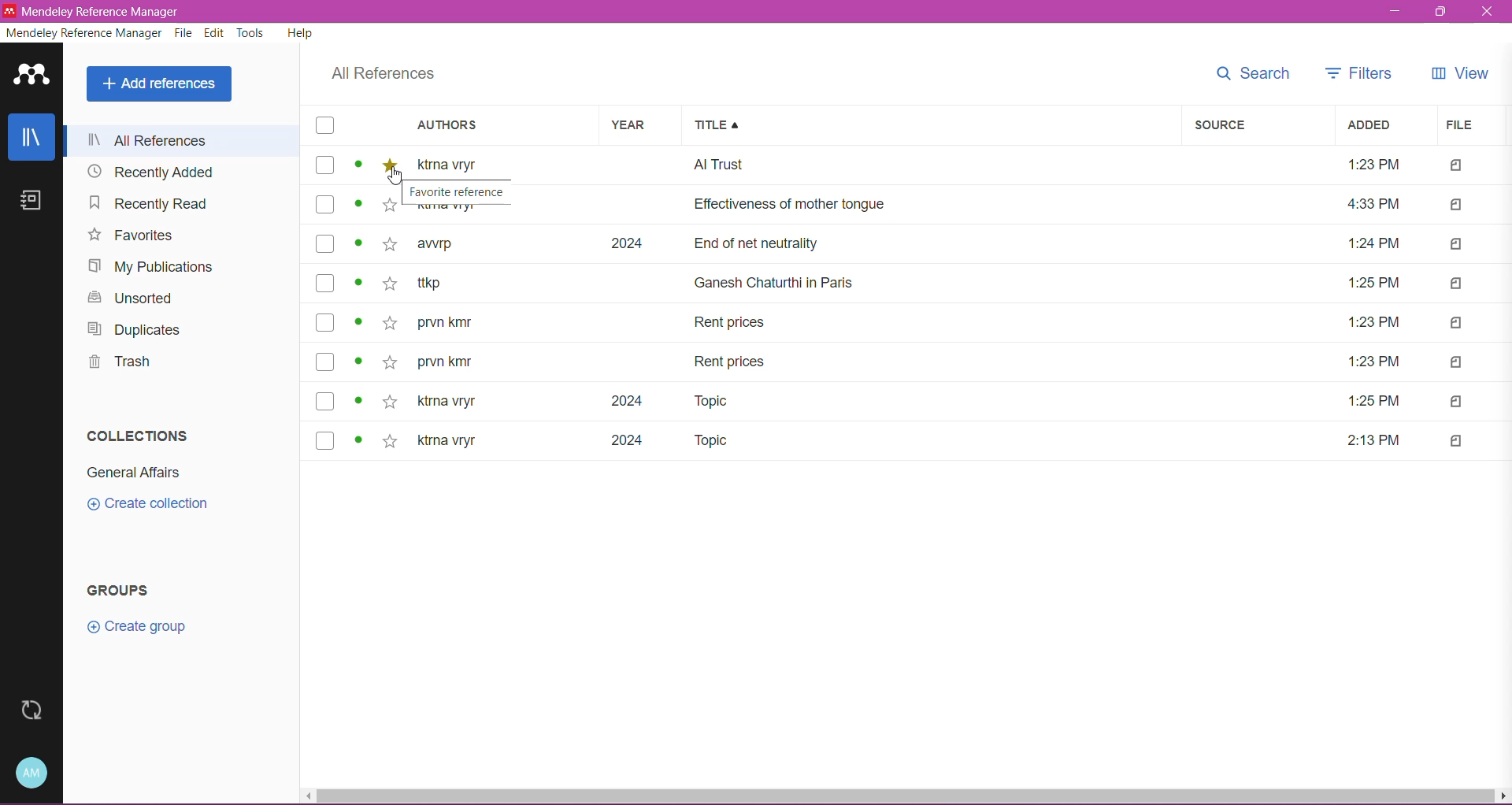 Image resolution: width=1512 pixels, height=805 pixels. I want to click on Click to select, so click(325, 243).